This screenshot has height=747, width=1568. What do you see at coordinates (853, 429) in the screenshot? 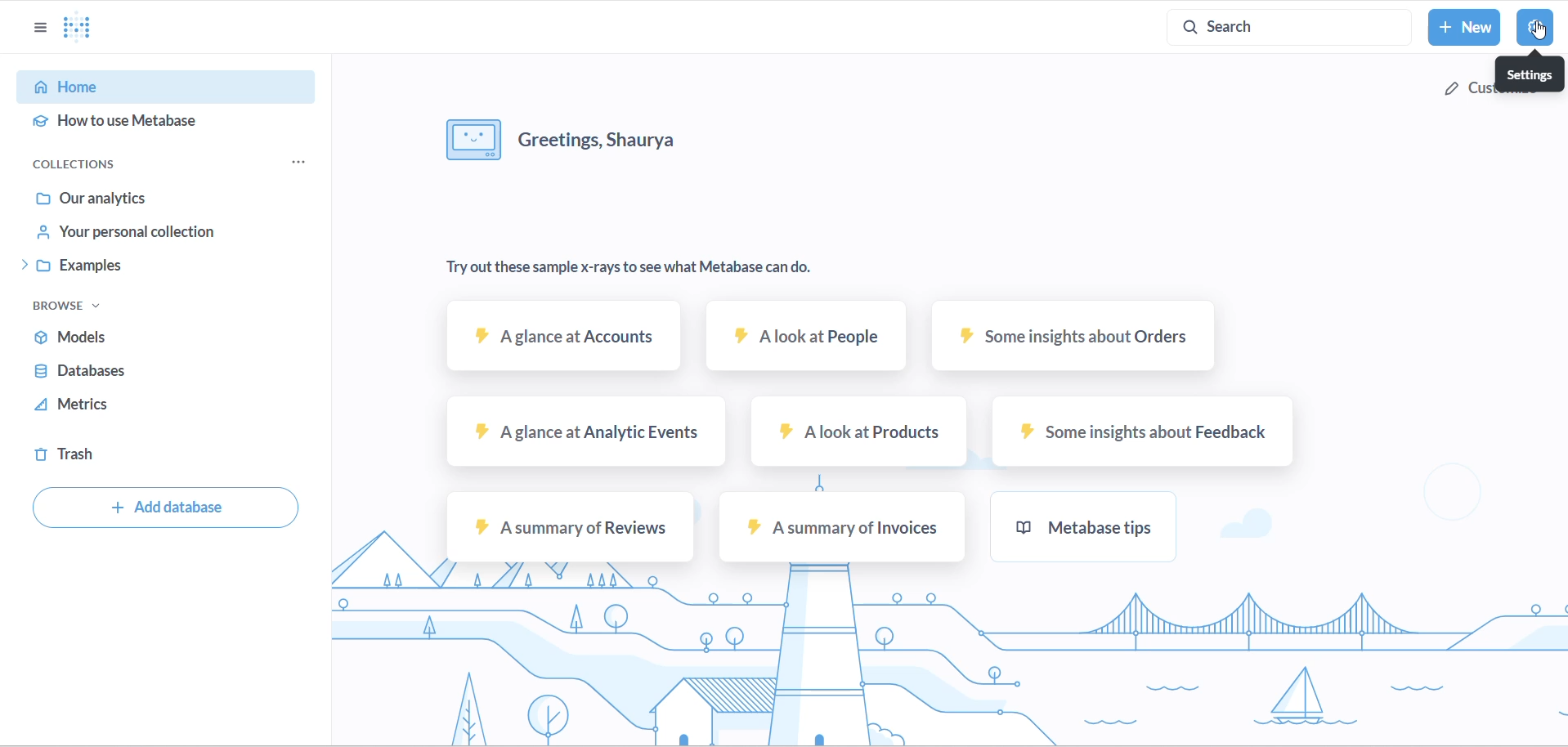
I see `A look at products sample` at bounding box center [853, 429].